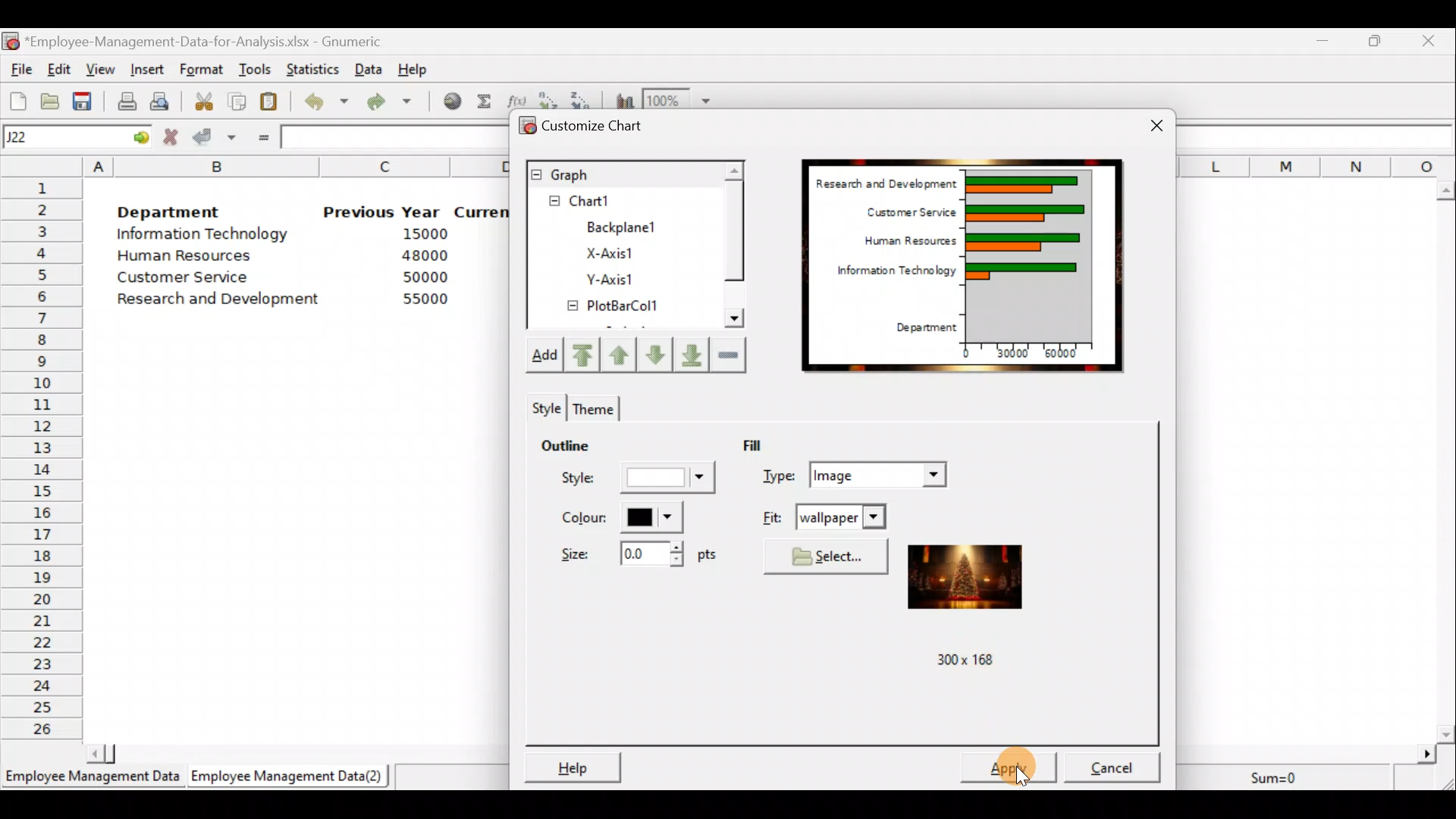 The width and height of the screenshot is (1456, 819). What do you see at coordinates (891, 275) in the screenshot?
I see `Information Technology` at bounding box center [891, 275].